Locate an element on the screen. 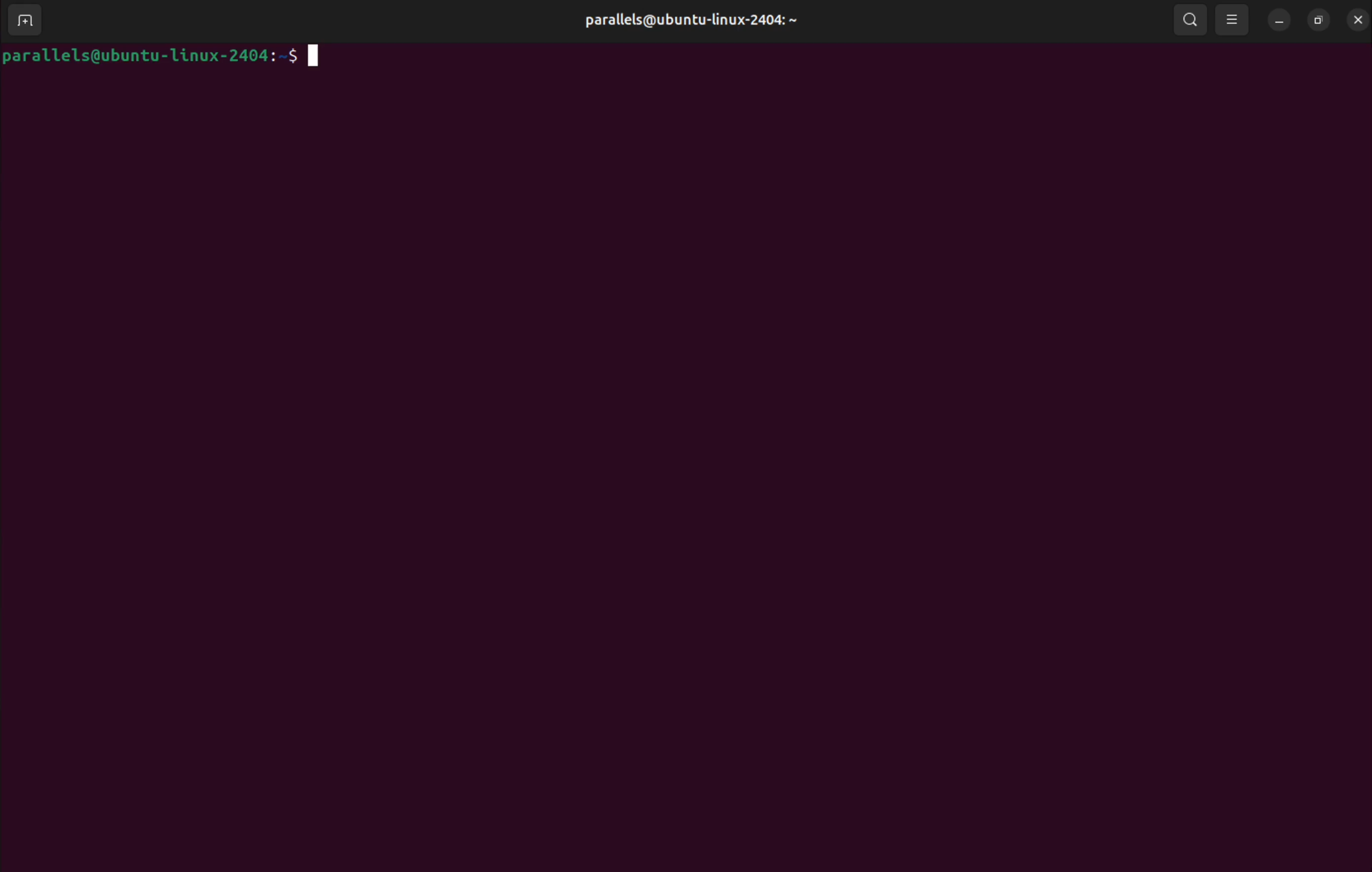  bash prompt is located at coordinates (148, 55).